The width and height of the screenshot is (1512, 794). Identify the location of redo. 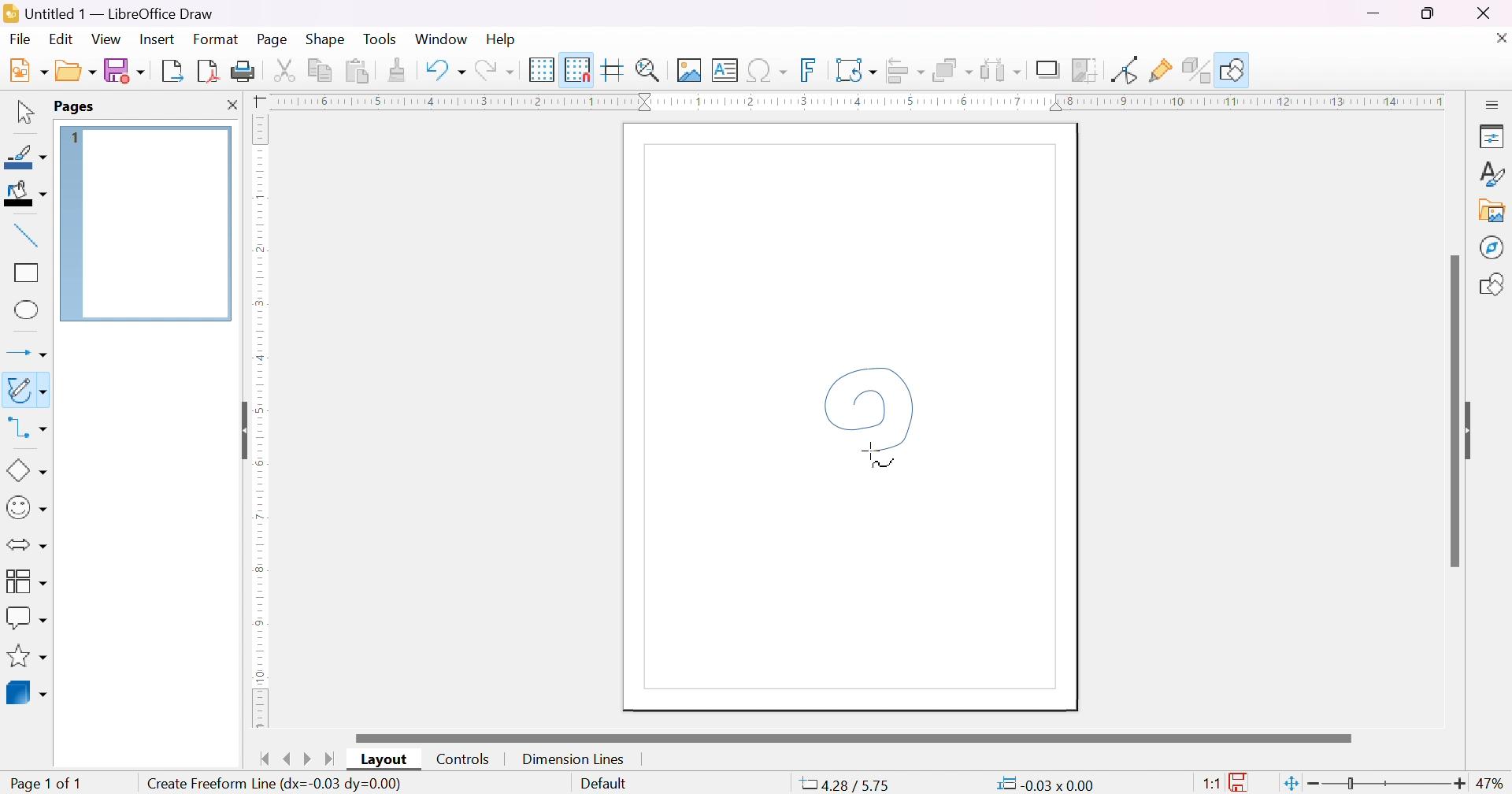
(492, 70).